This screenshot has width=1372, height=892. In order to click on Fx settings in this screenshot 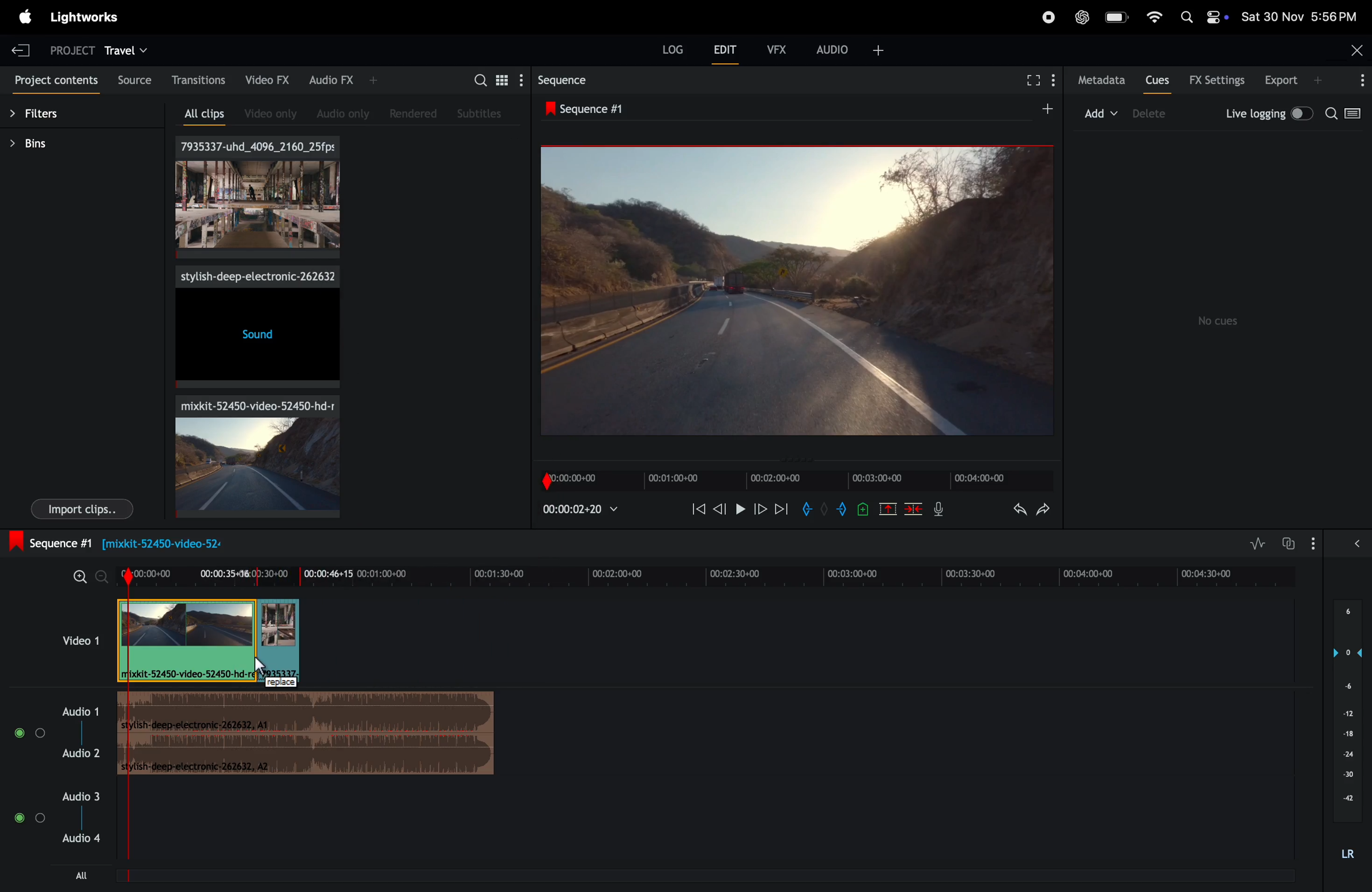, I will do `click(1217, 81)`.